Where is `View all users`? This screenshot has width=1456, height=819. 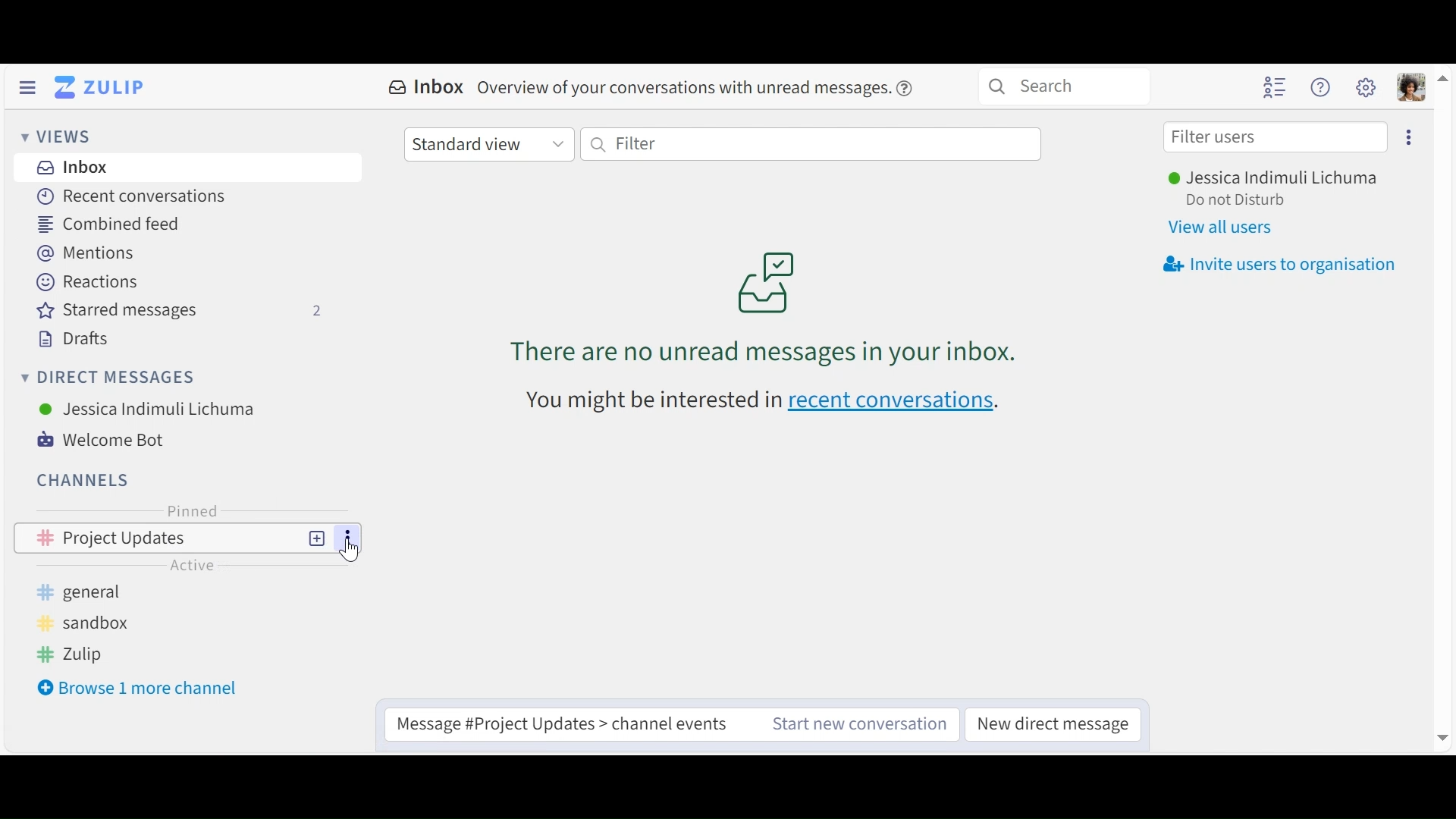
View all users is located at coordinates (1223, 227).